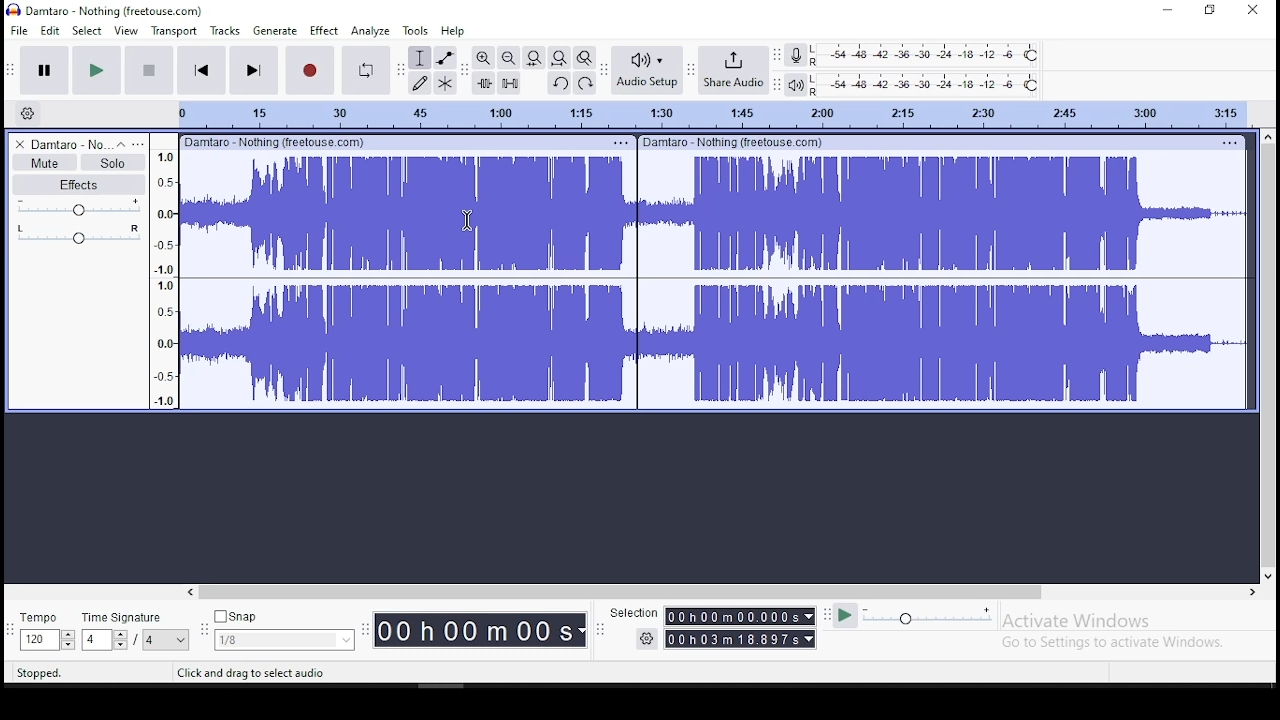  I want to click on mute, so click(43, 162).